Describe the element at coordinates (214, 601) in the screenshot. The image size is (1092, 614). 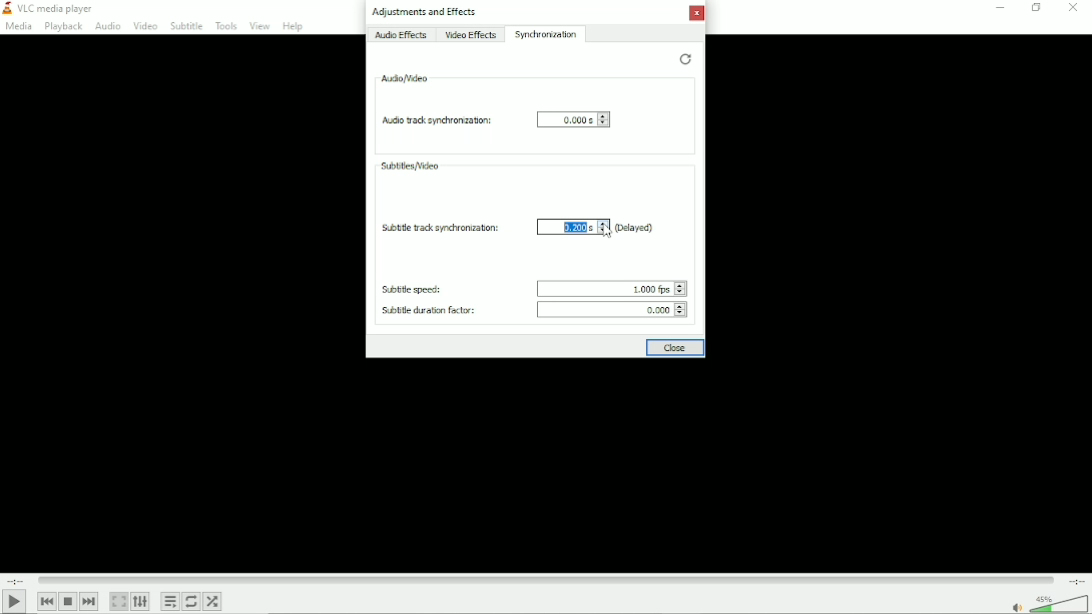
I see `random` at that location.